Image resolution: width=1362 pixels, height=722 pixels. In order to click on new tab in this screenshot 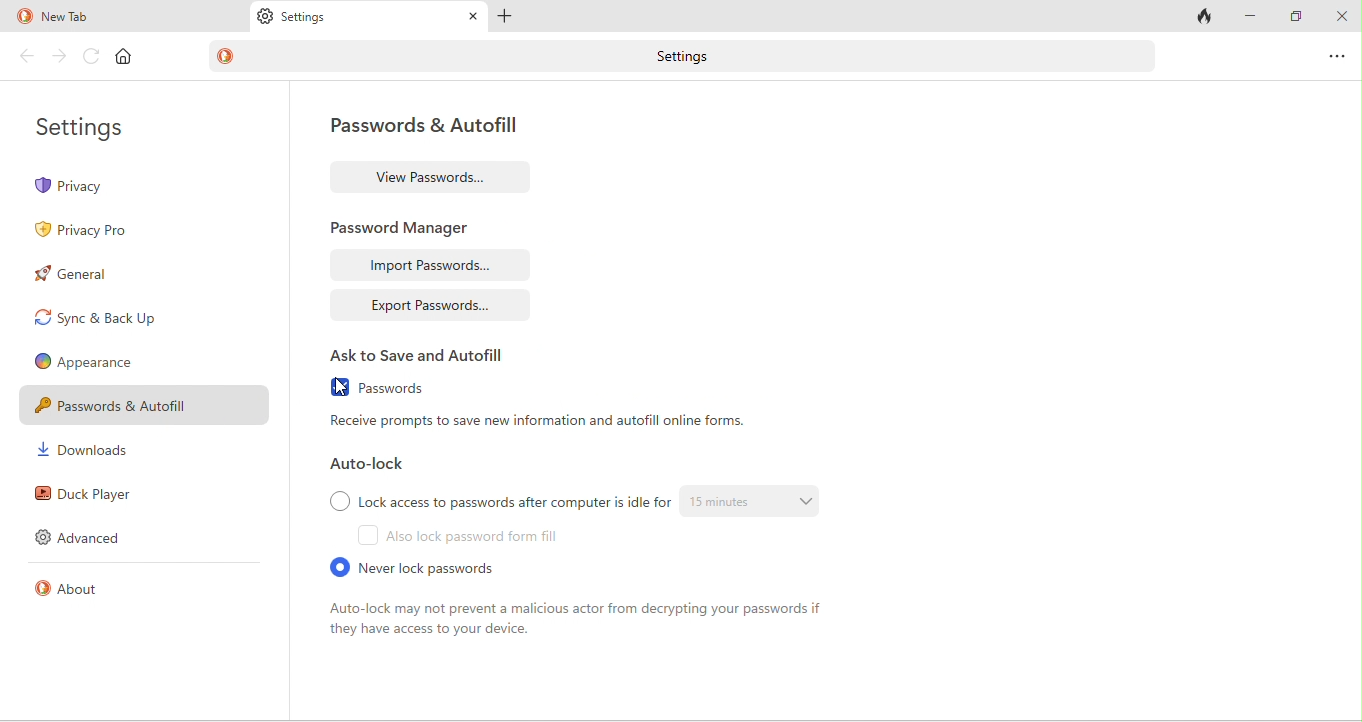, I will do `click(114, 15)`.